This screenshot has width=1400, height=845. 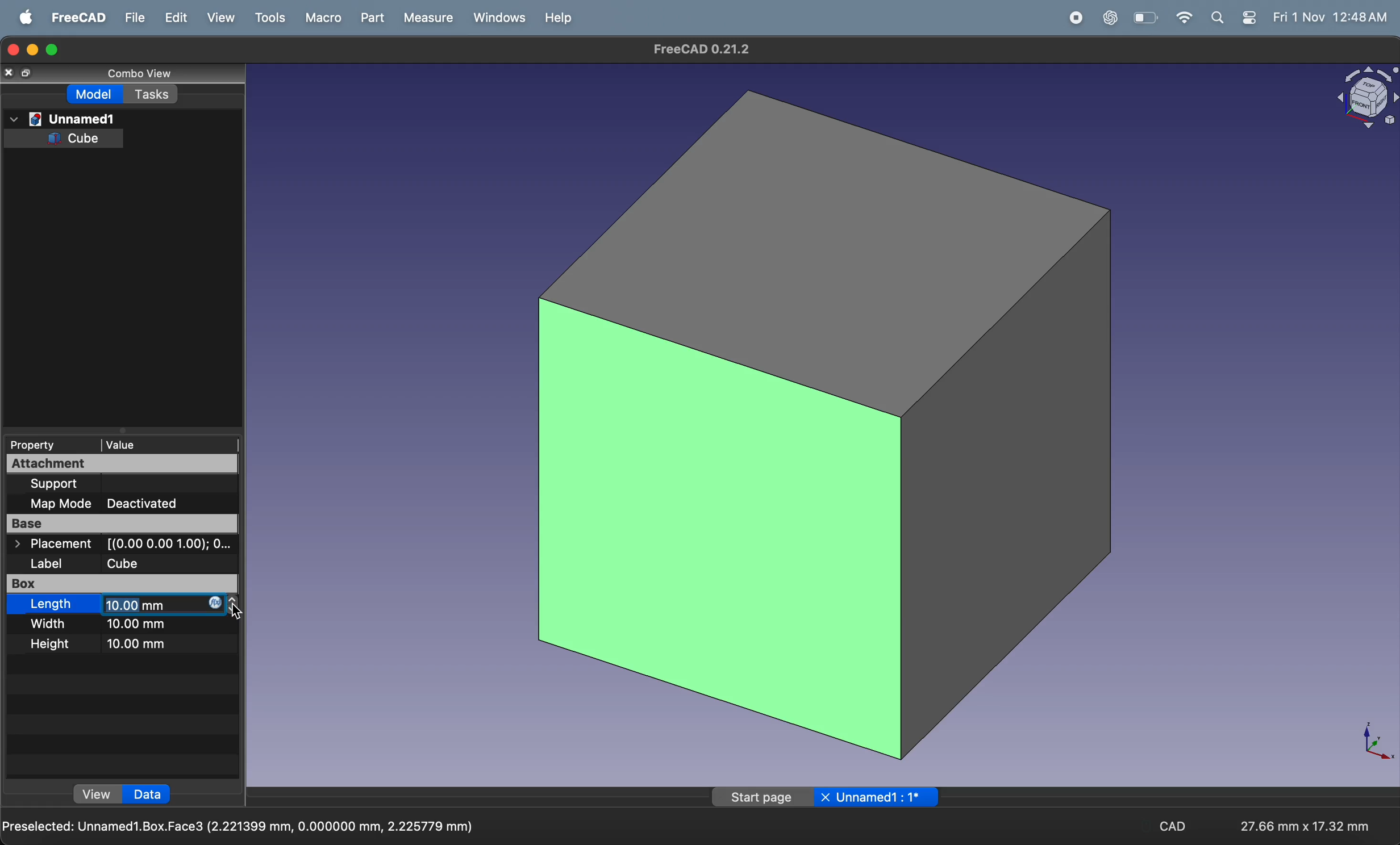 I want to click on Fri 1 Nov 12:48 AM, so click(x=1334, y=17).